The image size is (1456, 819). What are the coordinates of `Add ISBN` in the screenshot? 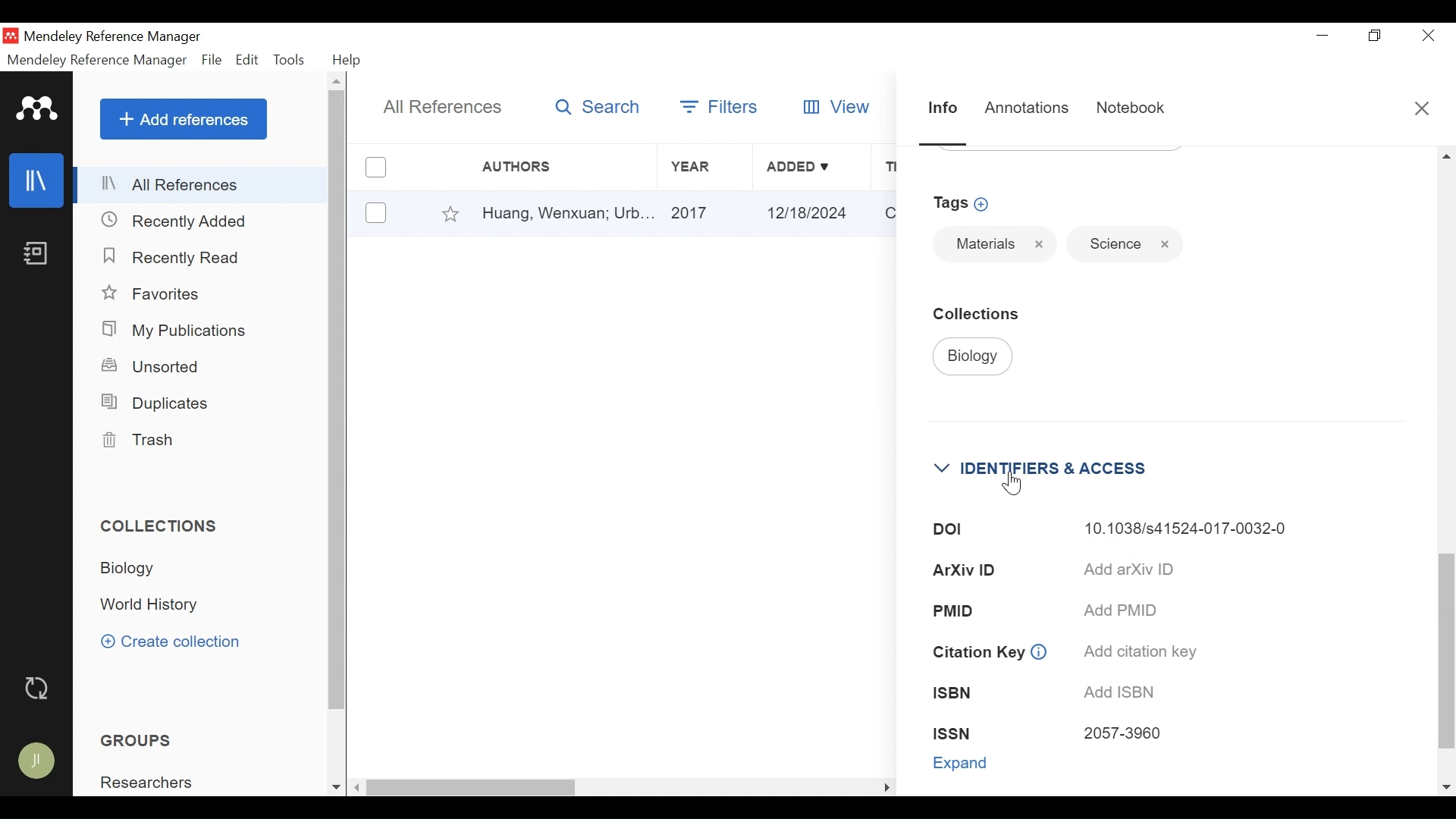 It's located at (1123, 693).